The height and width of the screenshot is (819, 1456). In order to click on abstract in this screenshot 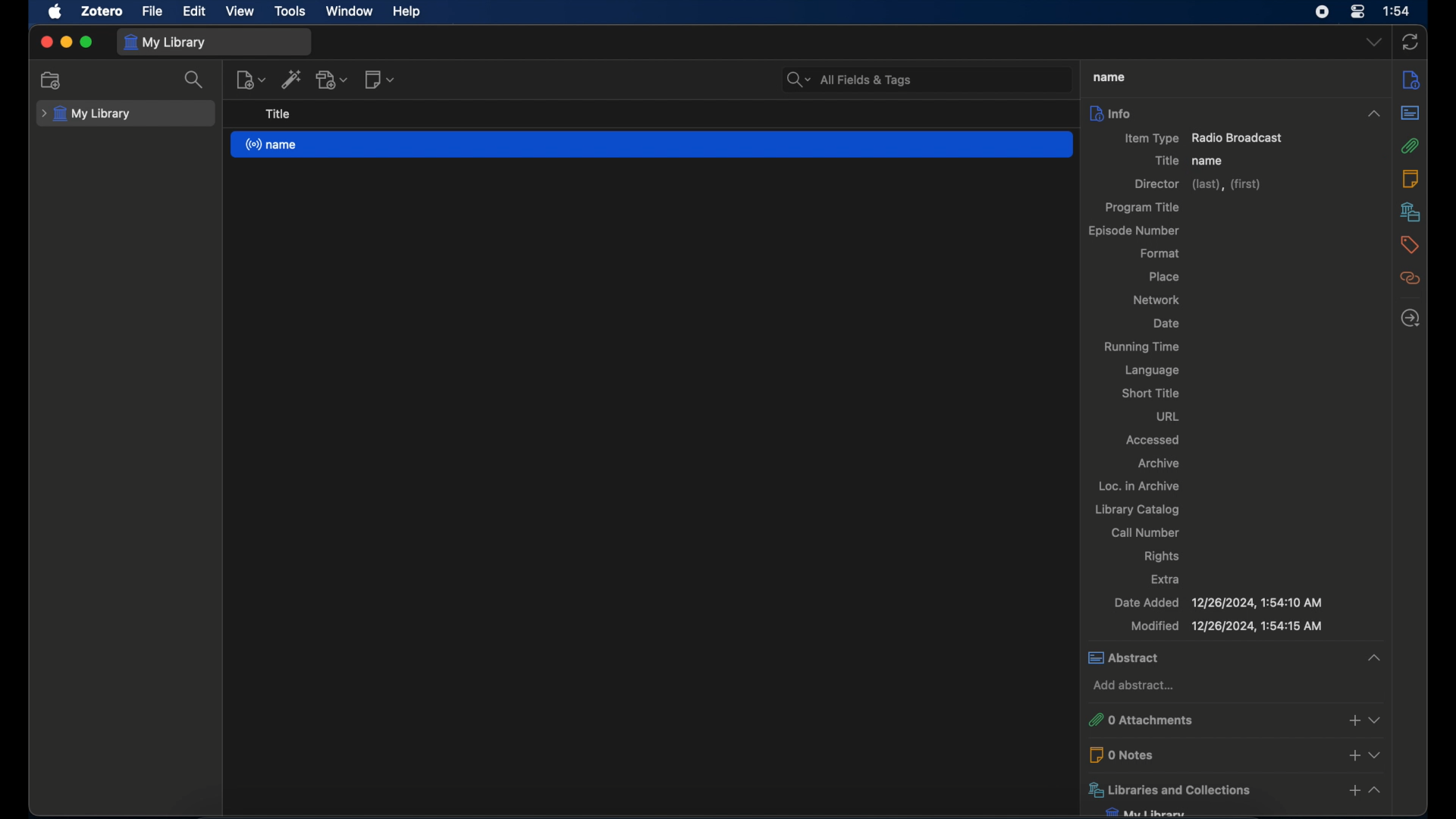, I will do `click(1236, 657)`.